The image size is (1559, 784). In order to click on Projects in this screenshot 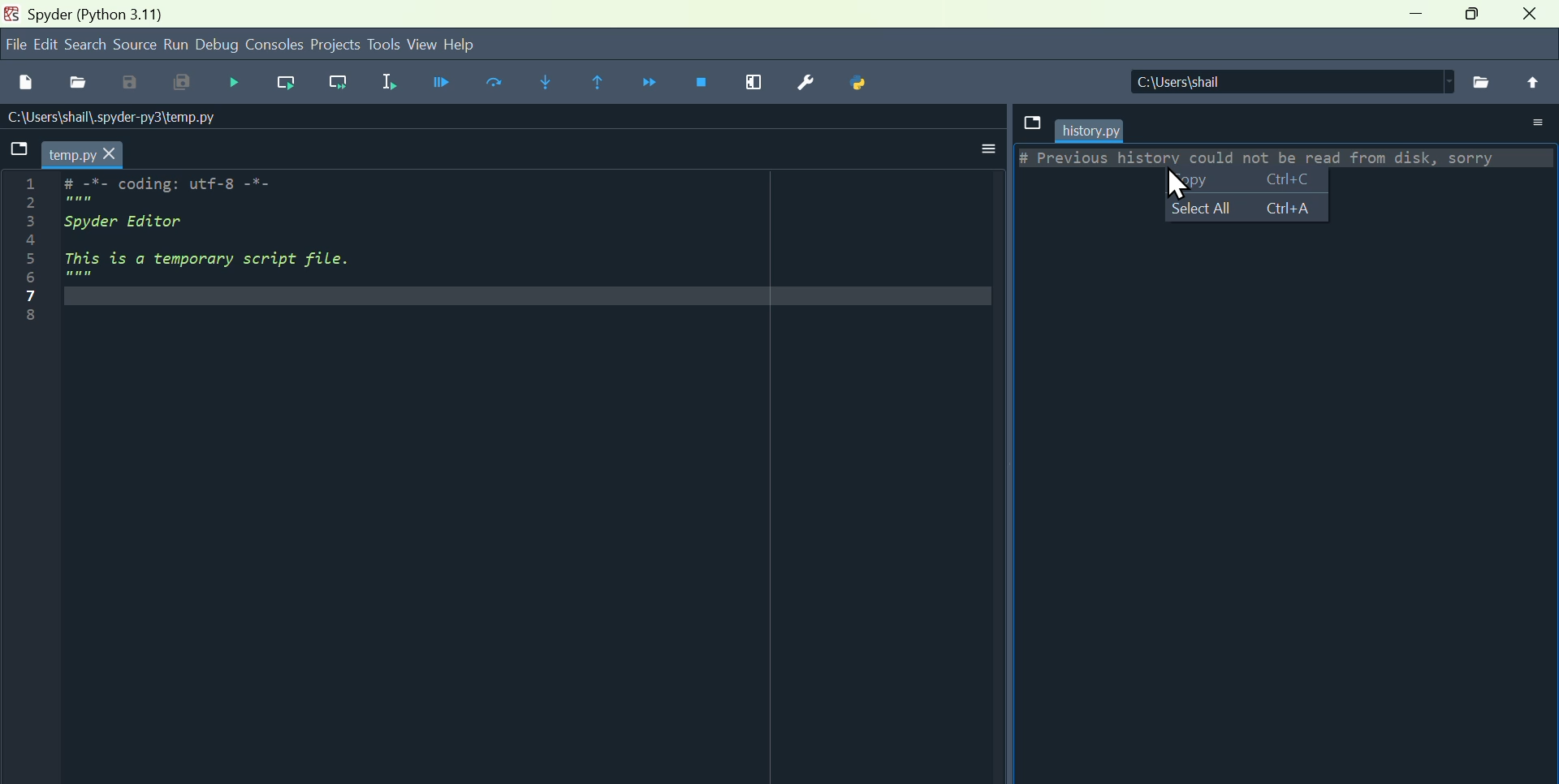, I will do `click(335, 45)`.